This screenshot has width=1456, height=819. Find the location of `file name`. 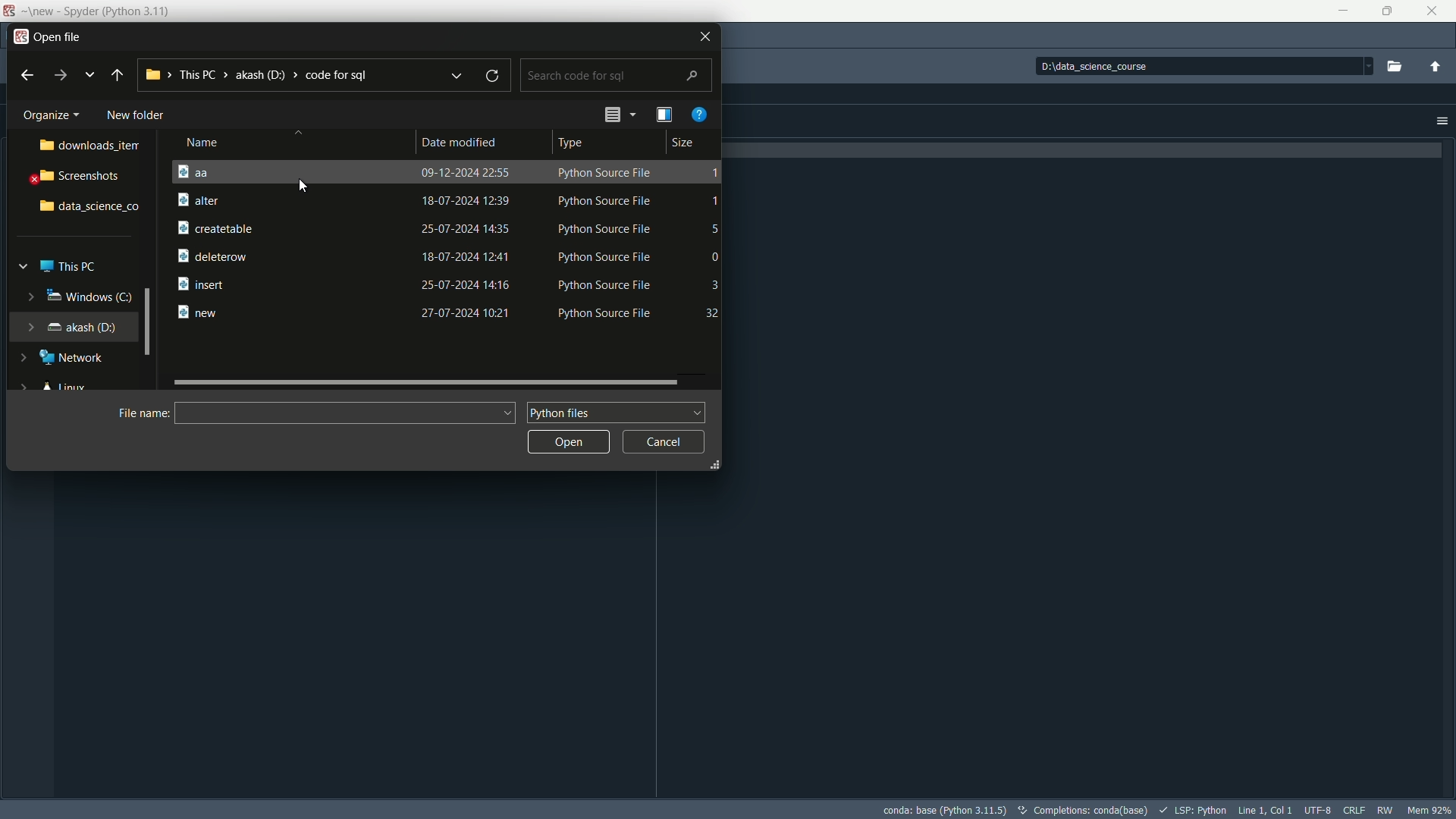

file name is located at coordinates (146, 415).